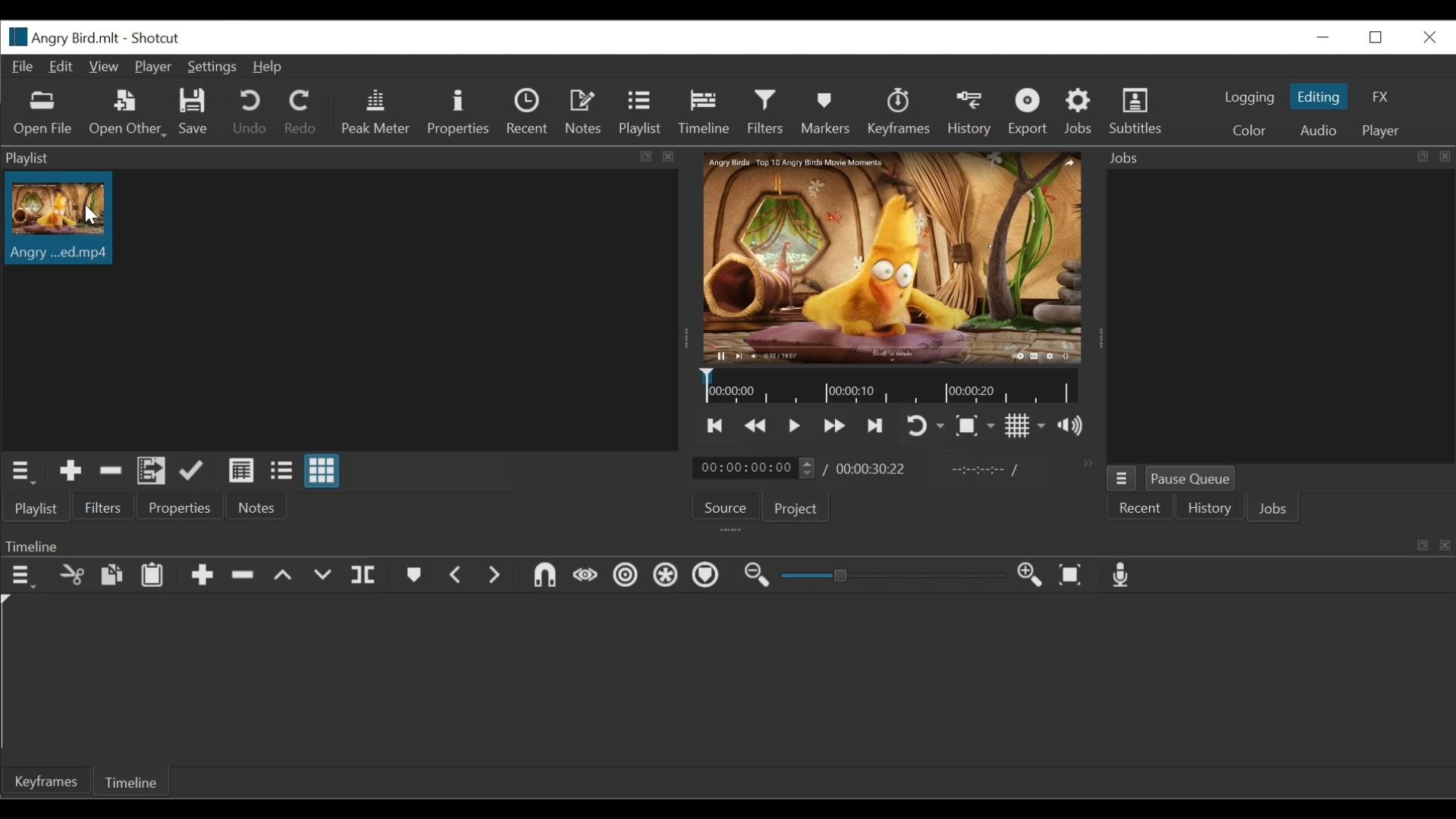 This screenshot has height=819, width=1456. Describe the element at coordinates (544, 577) in the screenshot. I see `Snap  ` at that location.